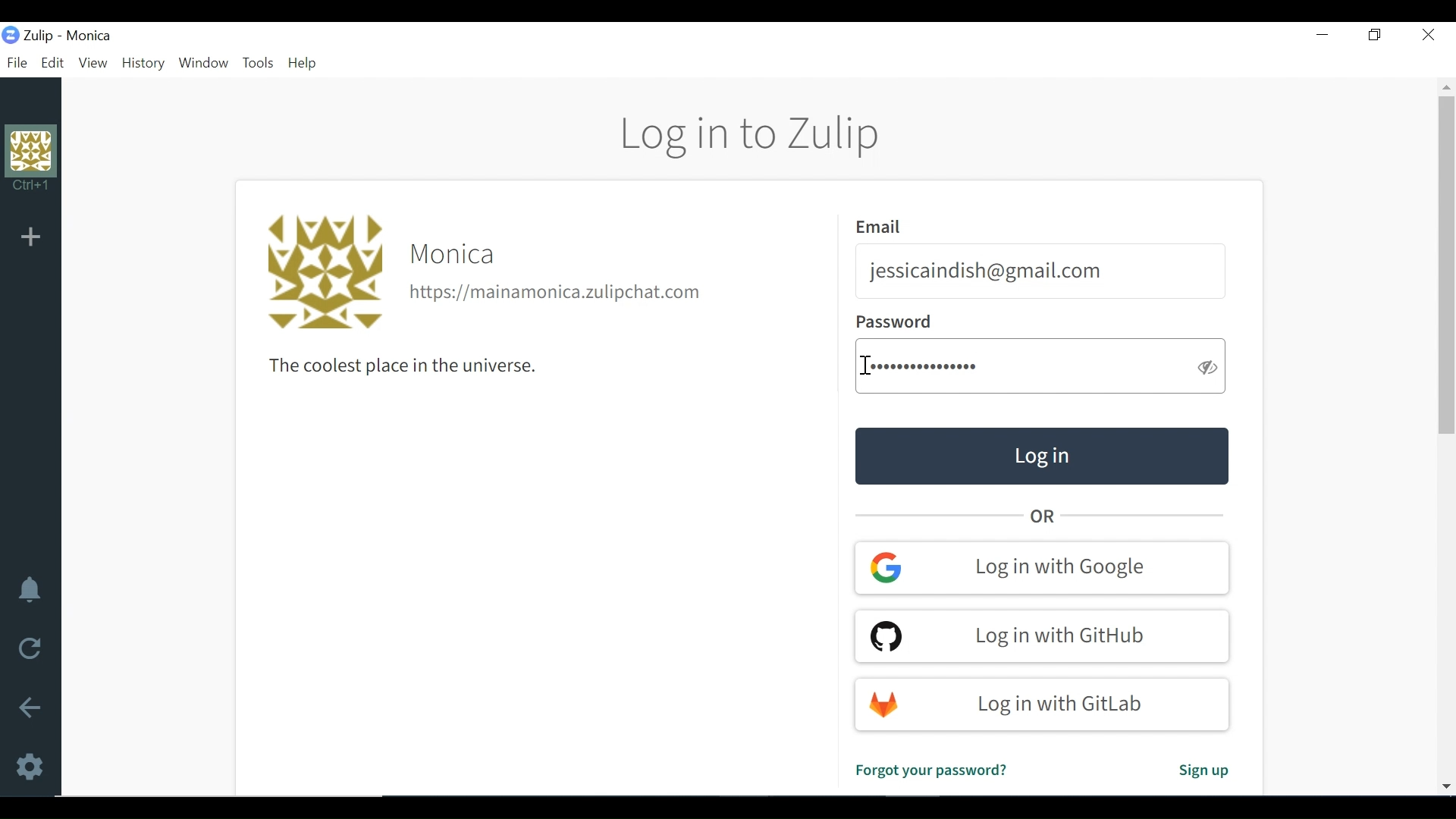  I want to click on Add Organisation, so click(30, 237).